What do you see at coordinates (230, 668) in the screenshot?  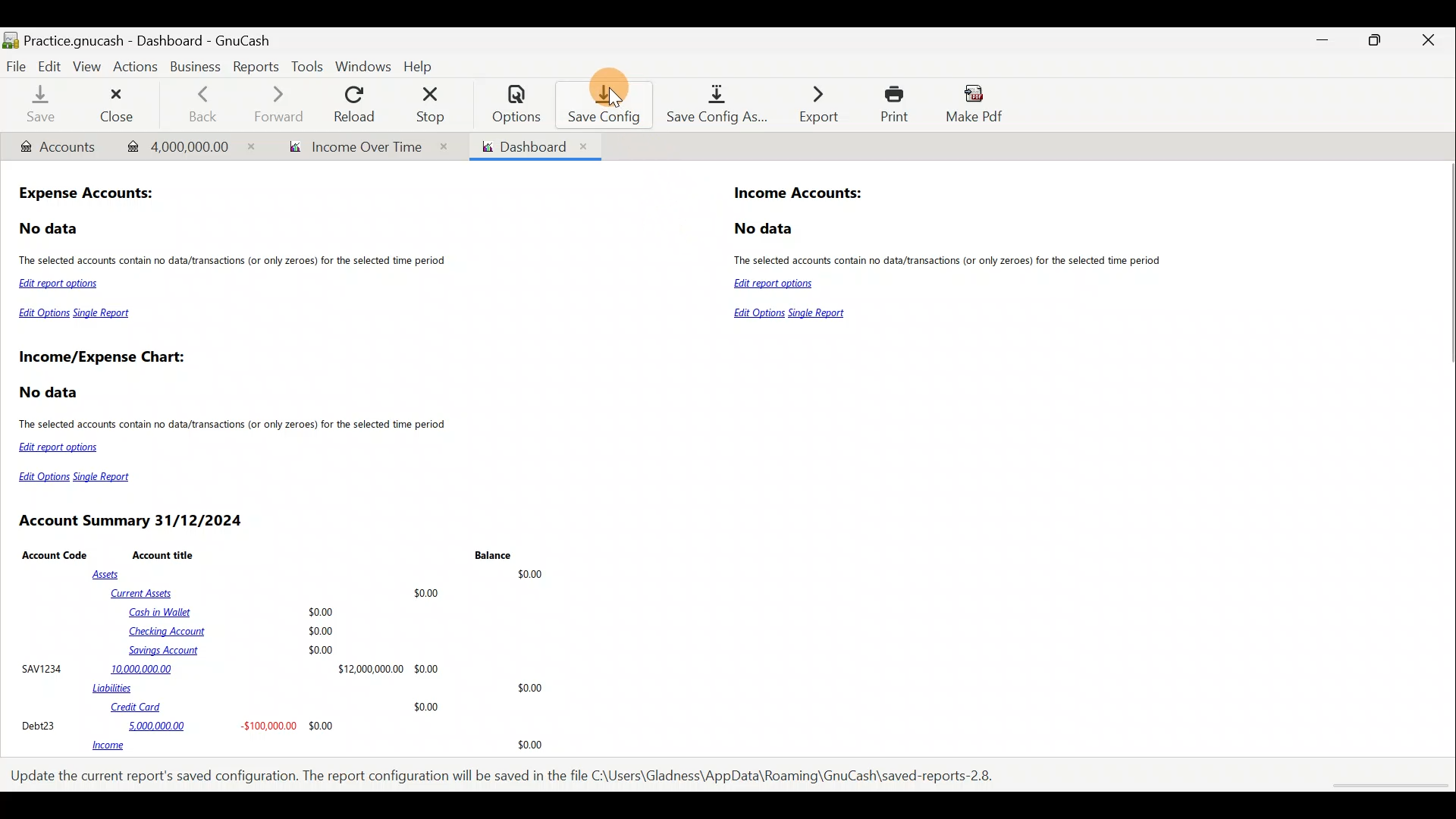 I see `SAVI234 10,000,000.00 $12,000,00000 $0.00` at bounding box center [230, 668].